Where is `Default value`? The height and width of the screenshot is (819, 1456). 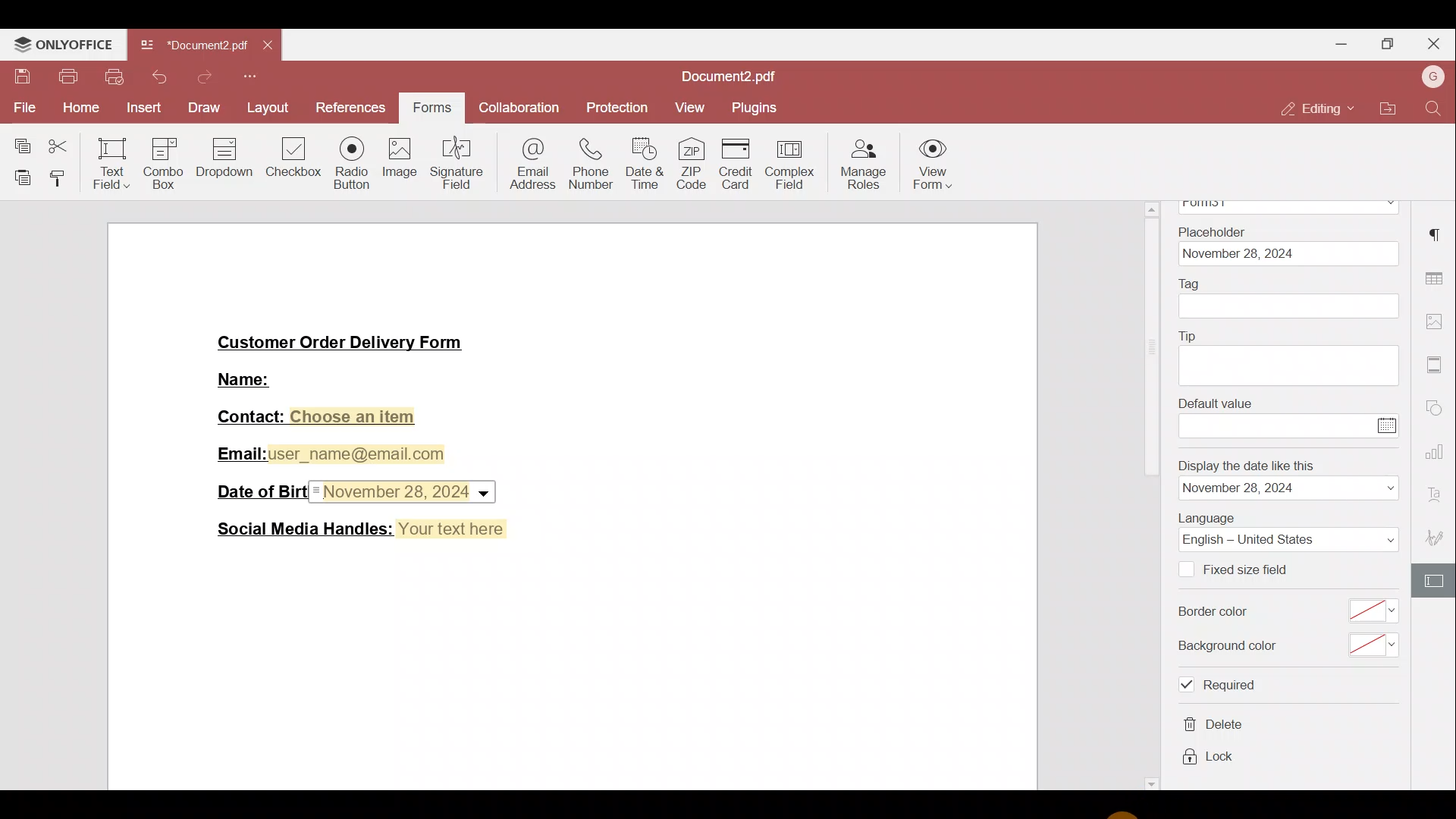
Default value is located at coordinates (1217, 403).